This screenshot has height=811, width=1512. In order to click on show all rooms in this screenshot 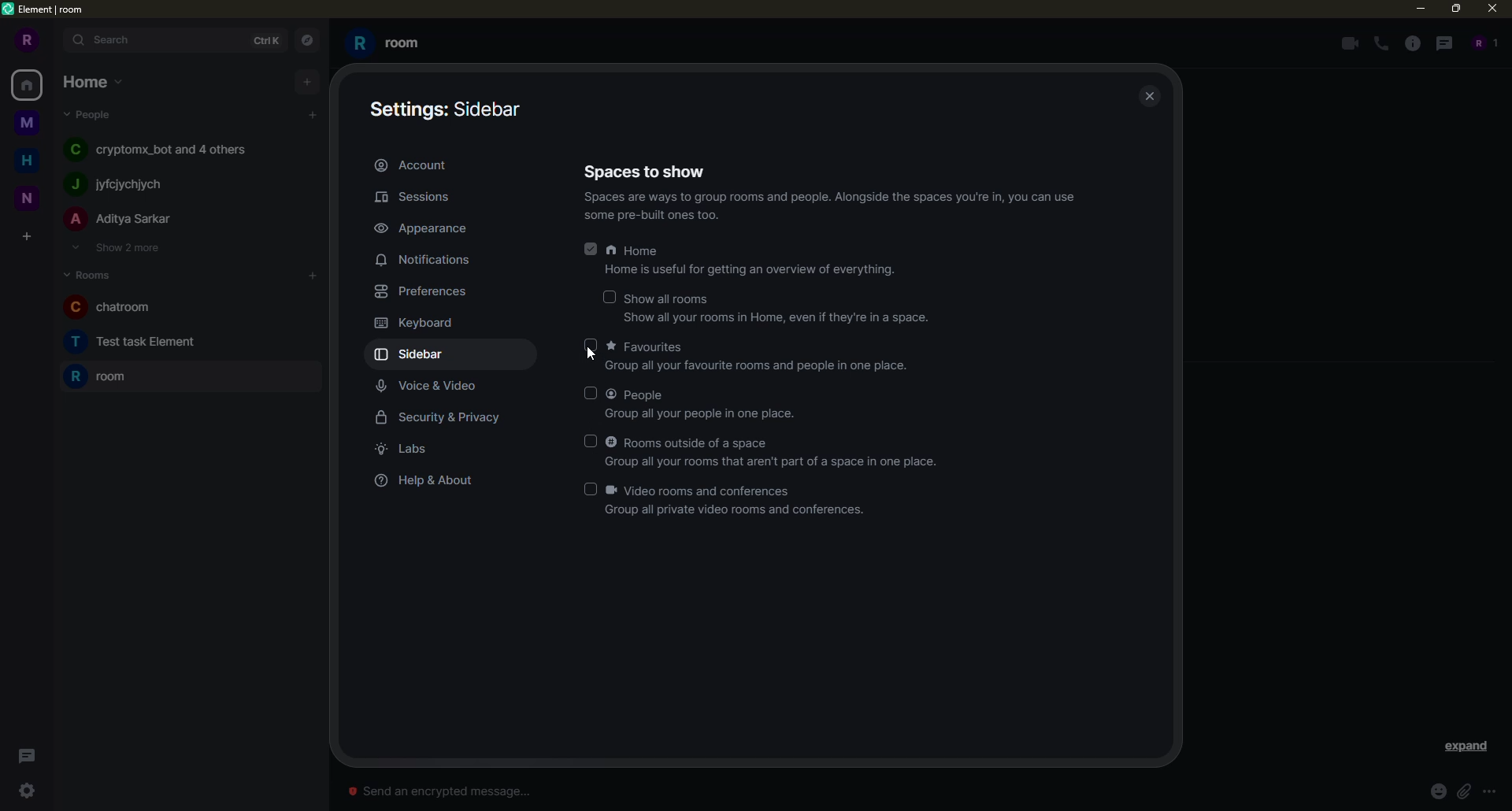, I will do `click(672, 298)`.